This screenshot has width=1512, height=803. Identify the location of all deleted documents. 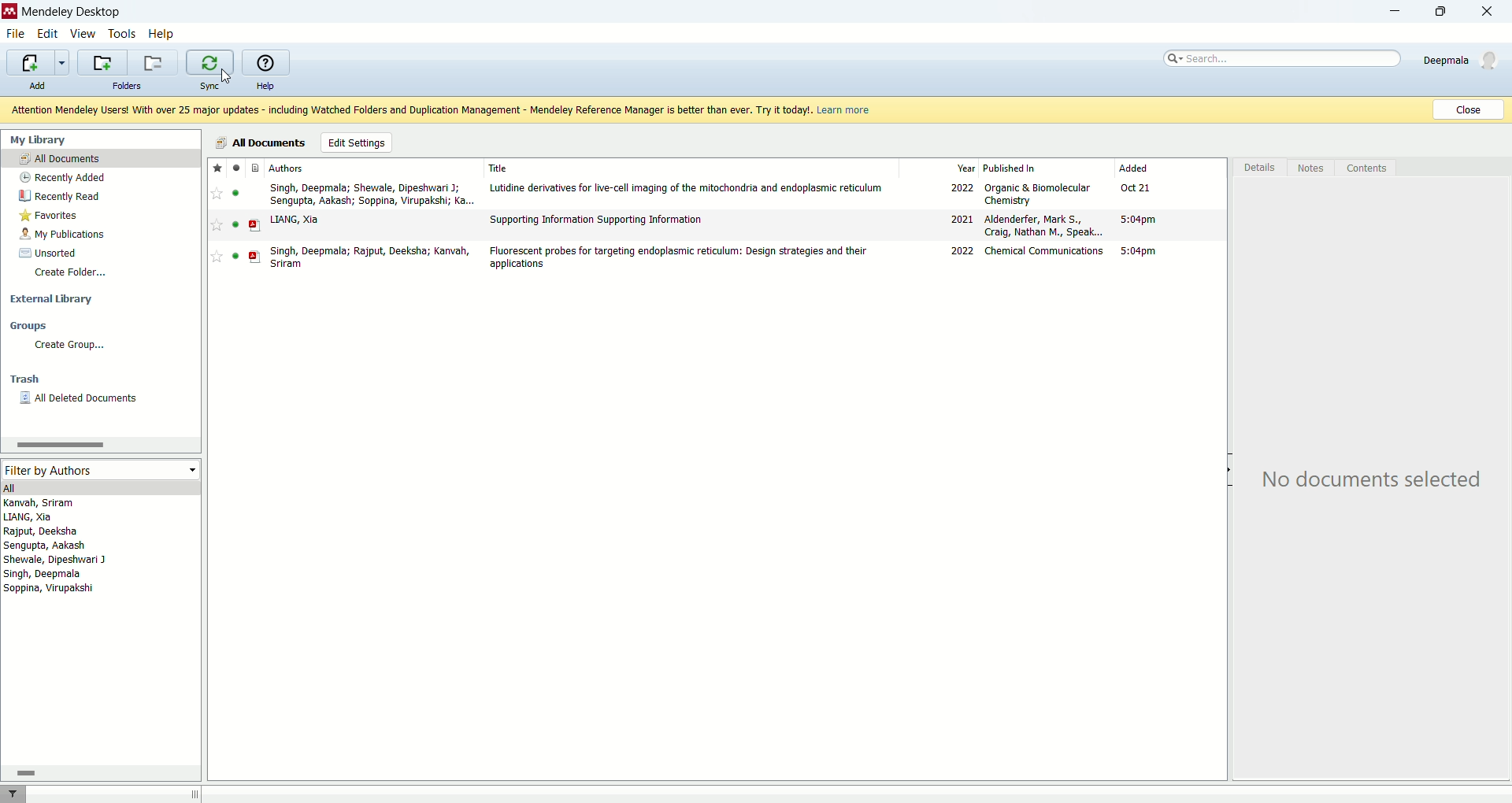
(84, 398).